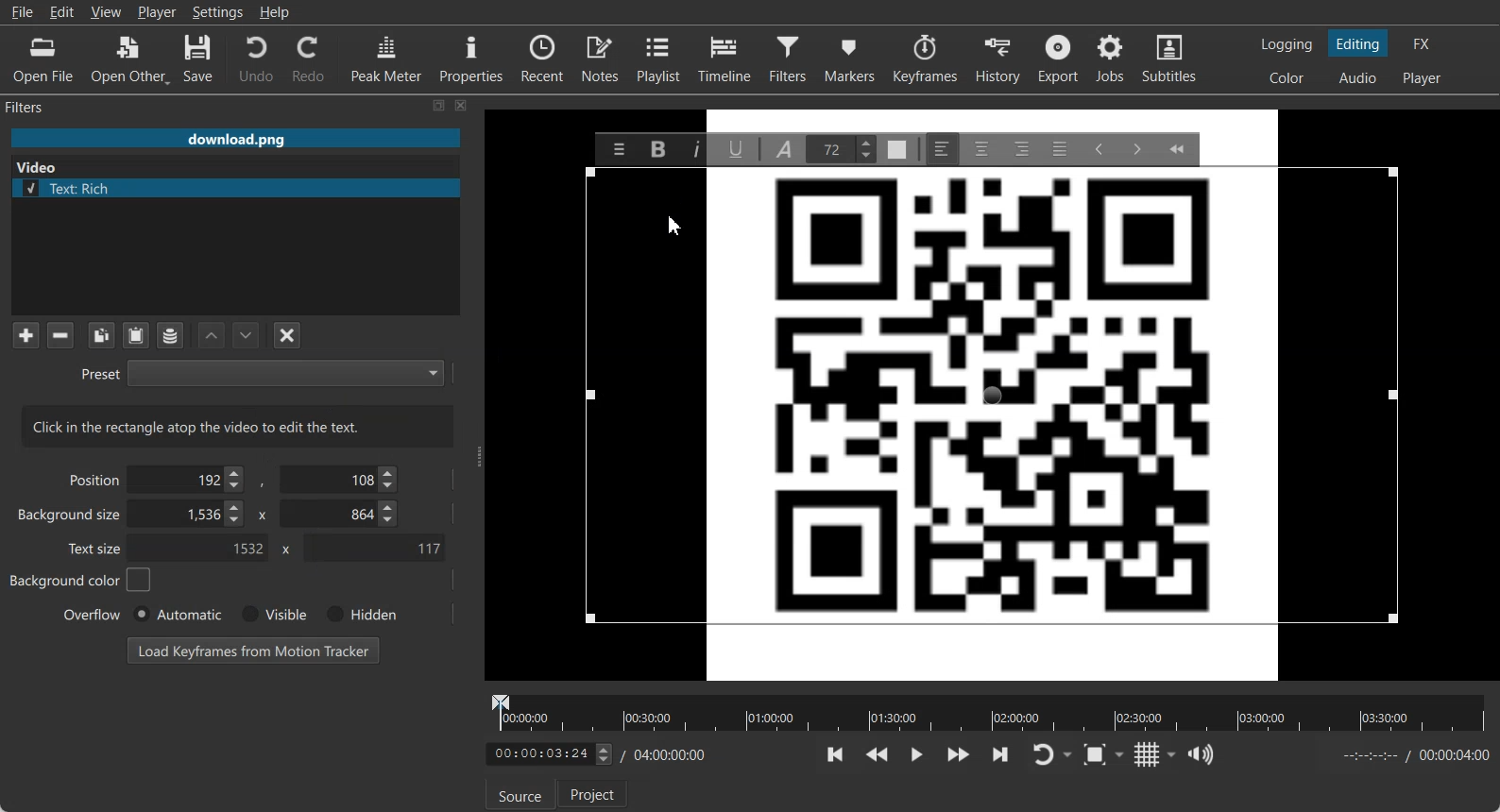 Image resolution: width=1500 pixels, height=812 pixels. I want to click on Open Other, so click(130, 59).